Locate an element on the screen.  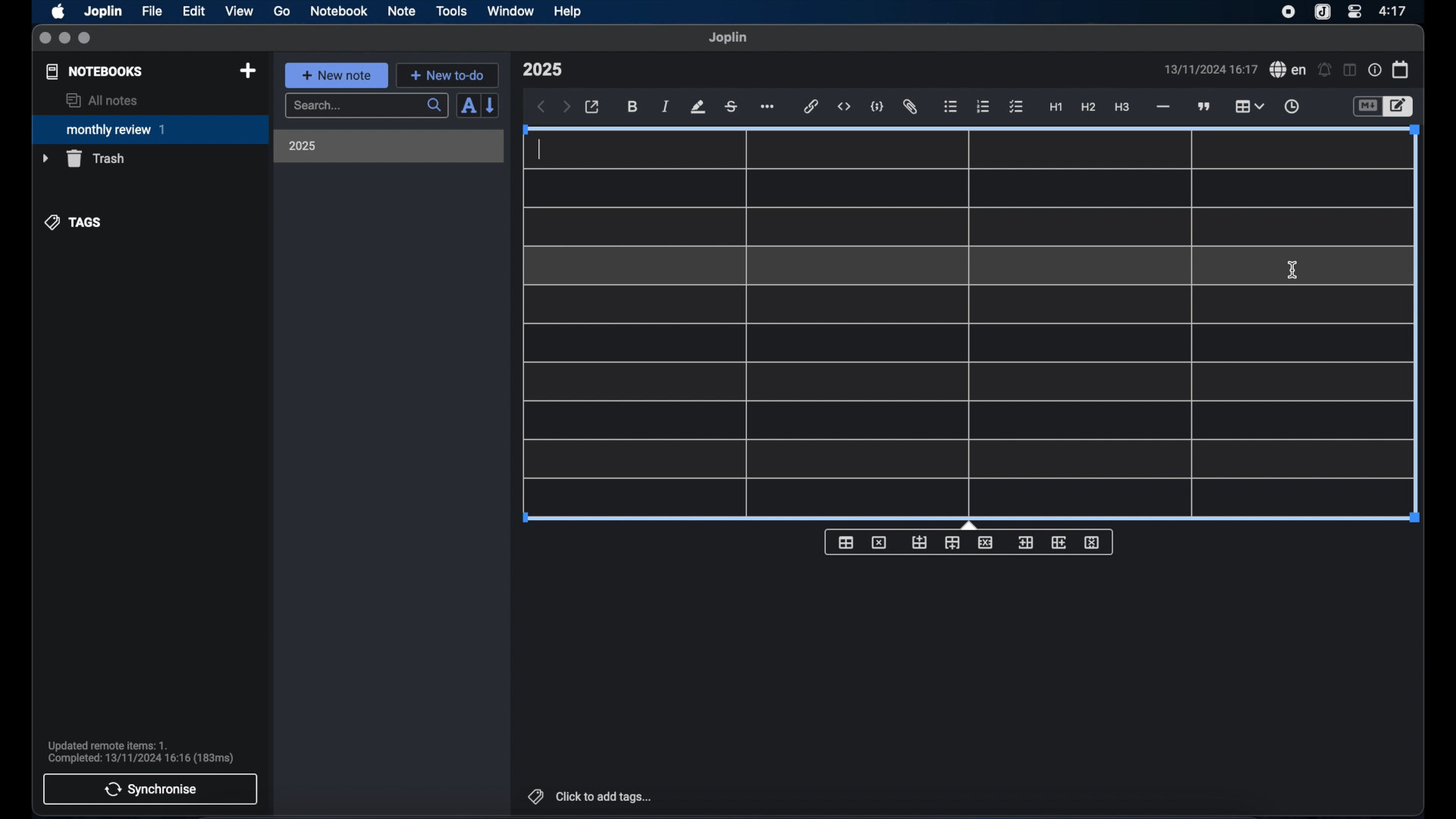
new to-do is located at coordinates (448, 75).